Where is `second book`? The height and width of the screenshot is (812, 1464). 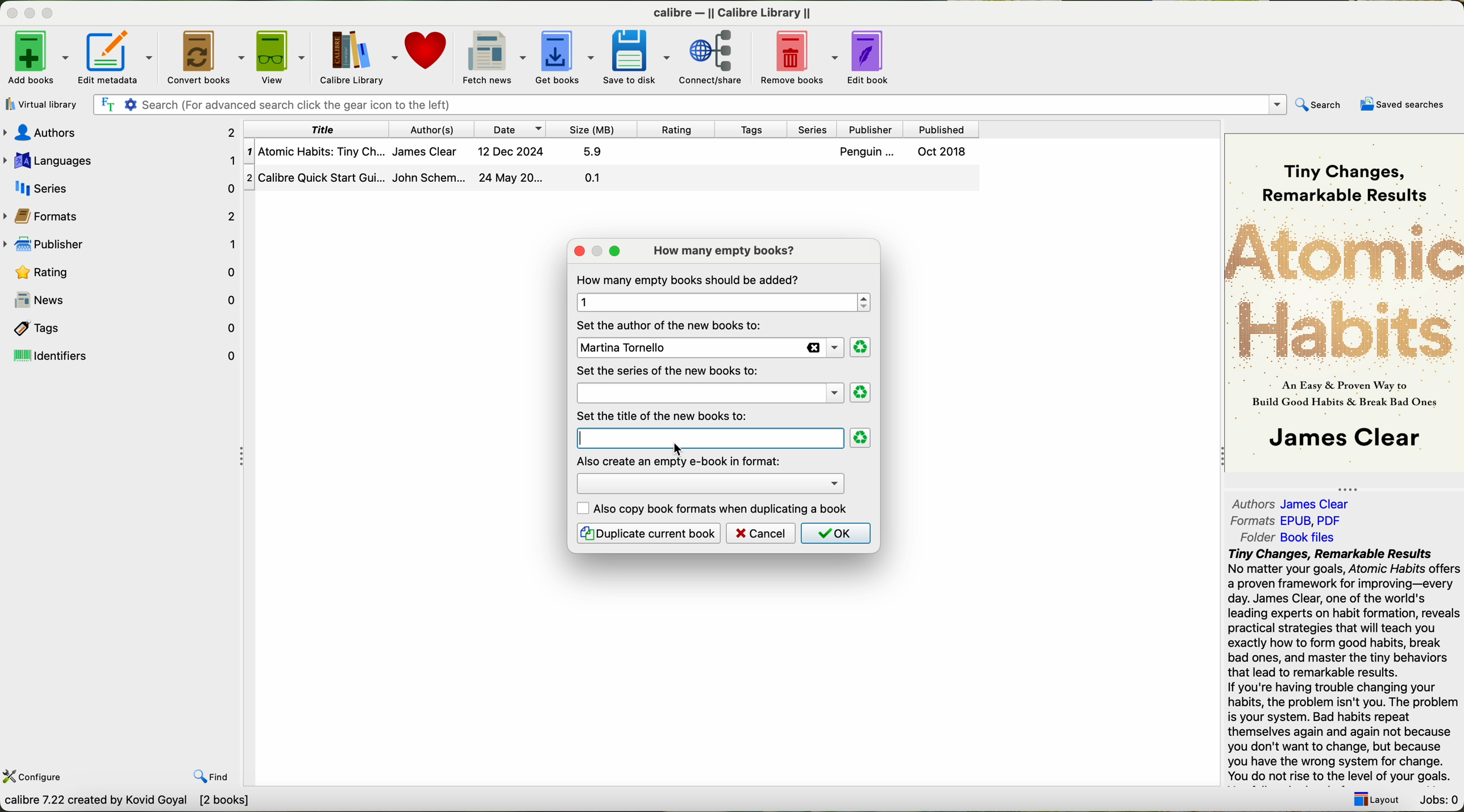
second book is located at coordinates (610, 179).